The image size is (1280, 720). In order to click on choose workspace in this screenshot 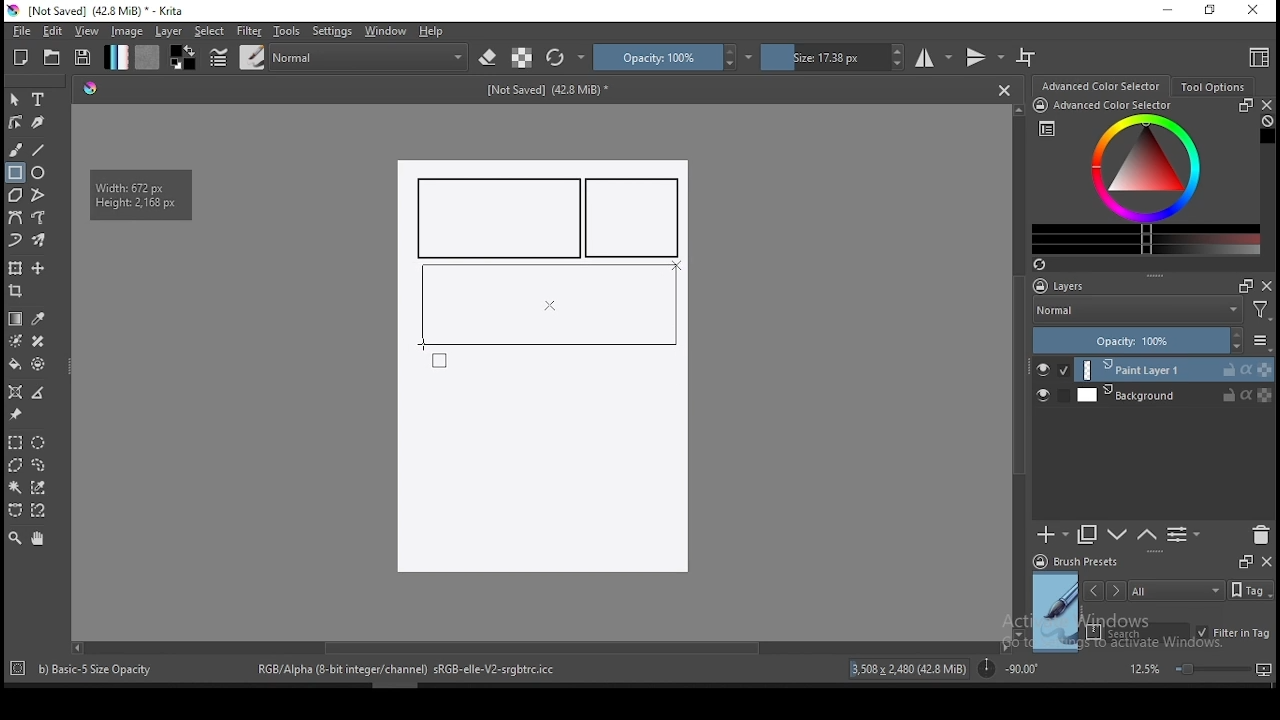, I will do `click(1257, 57)`.